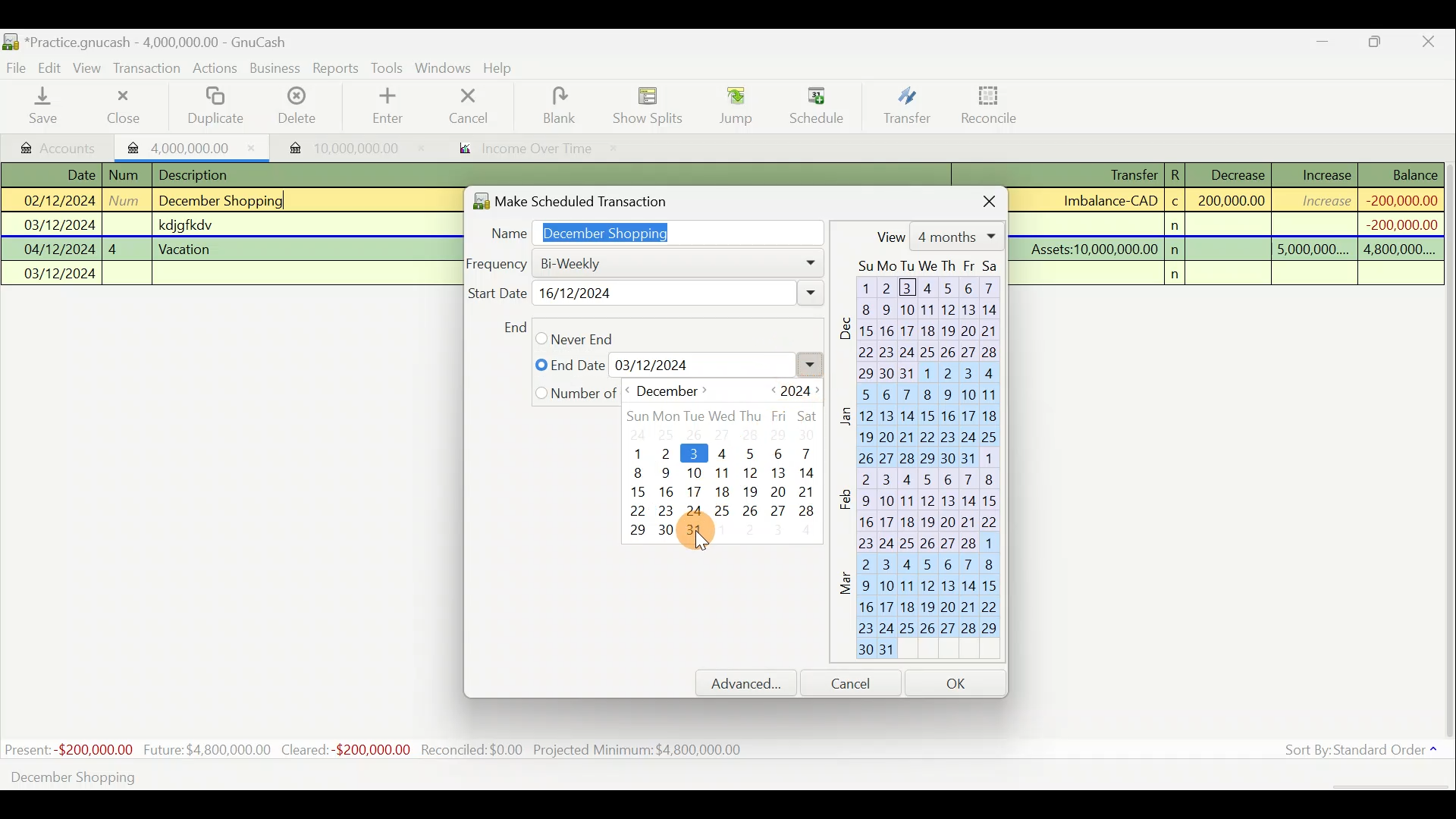 This screenshot has width=1456, height=819. I want to click on Close, so click(977, 199).